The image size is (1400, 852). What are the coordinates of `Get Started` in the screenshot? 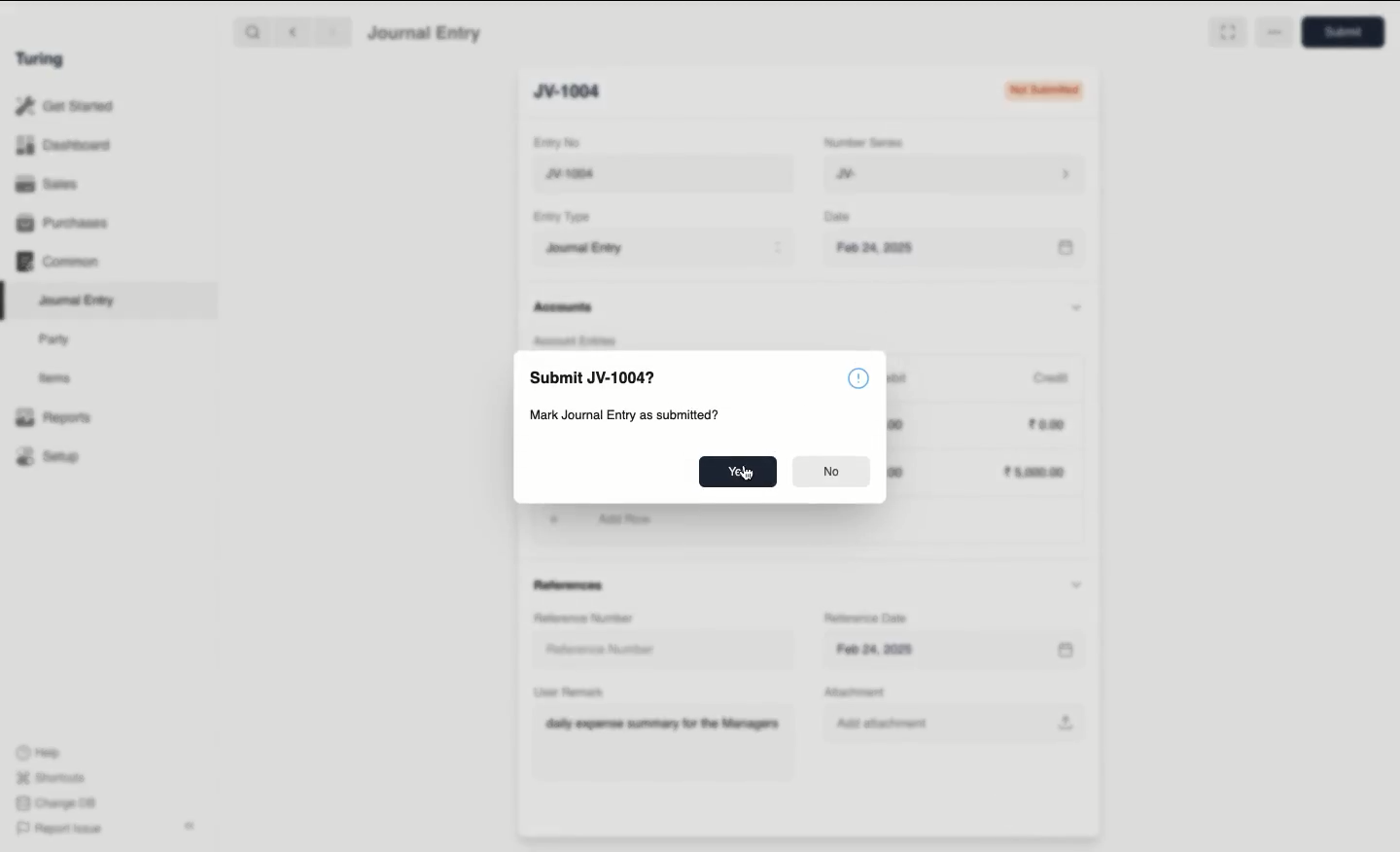 It's located at (66, 107).